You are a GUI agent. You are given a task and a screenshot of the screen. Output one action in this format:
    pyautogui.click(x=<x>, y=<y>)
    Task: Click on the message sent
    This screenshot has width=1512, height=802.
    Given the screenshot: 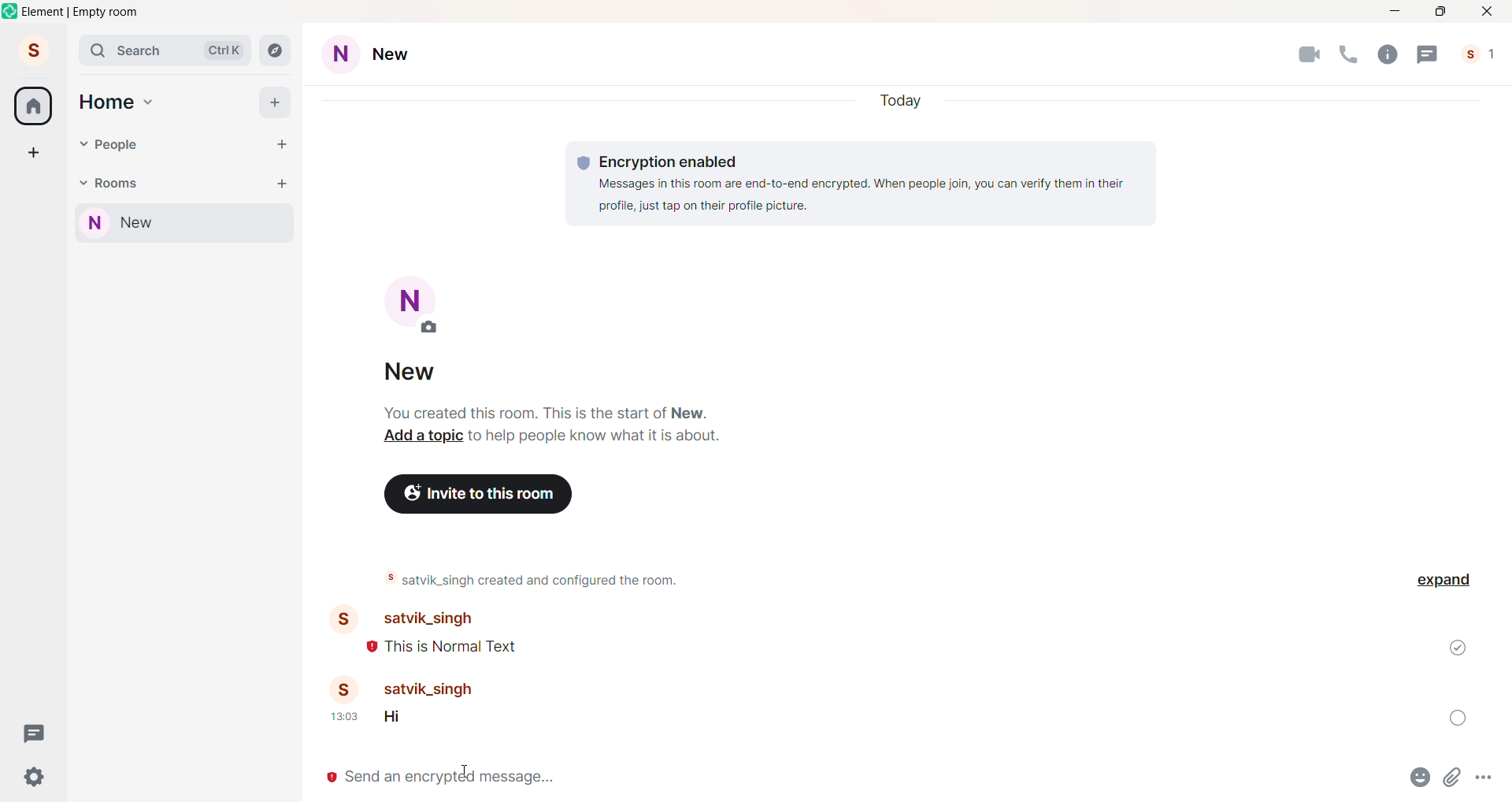 What is the action you would take?
    pyautogui.click(x=1458, y=648)
    